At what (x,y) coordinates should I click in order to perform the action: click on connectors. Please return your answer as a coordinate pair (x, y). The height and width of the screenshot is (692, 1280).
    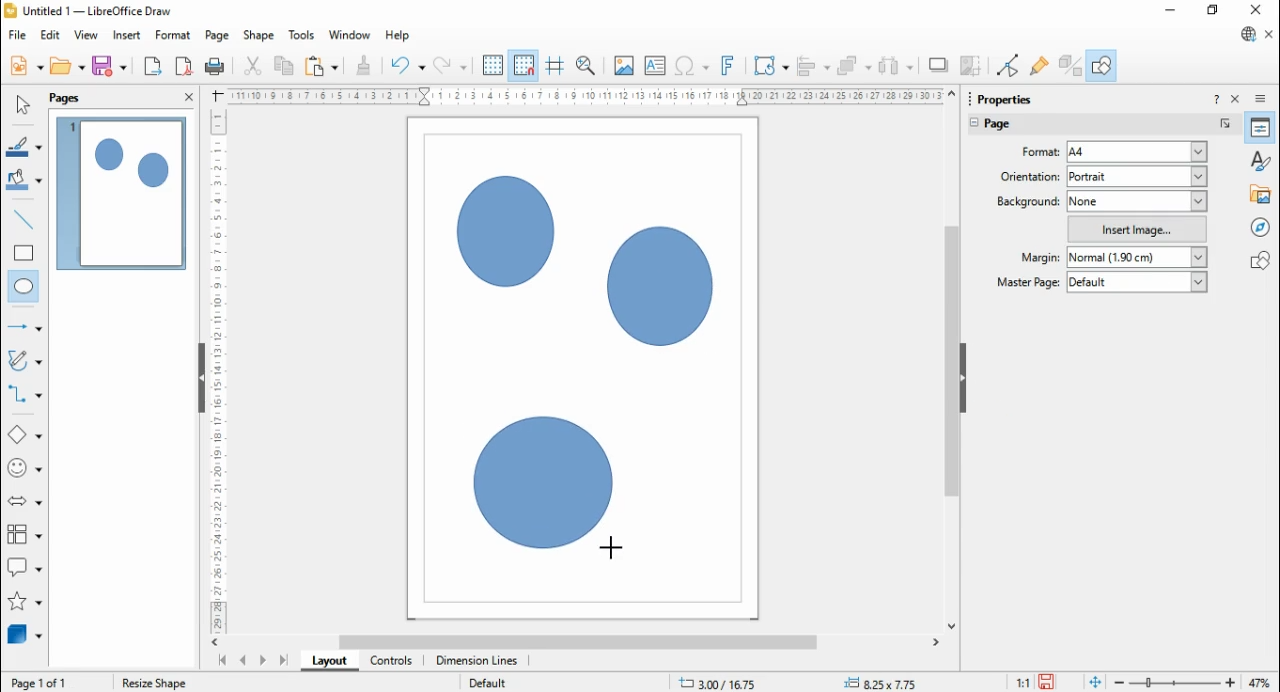
    Looking at the image, I should click on (25, 394).